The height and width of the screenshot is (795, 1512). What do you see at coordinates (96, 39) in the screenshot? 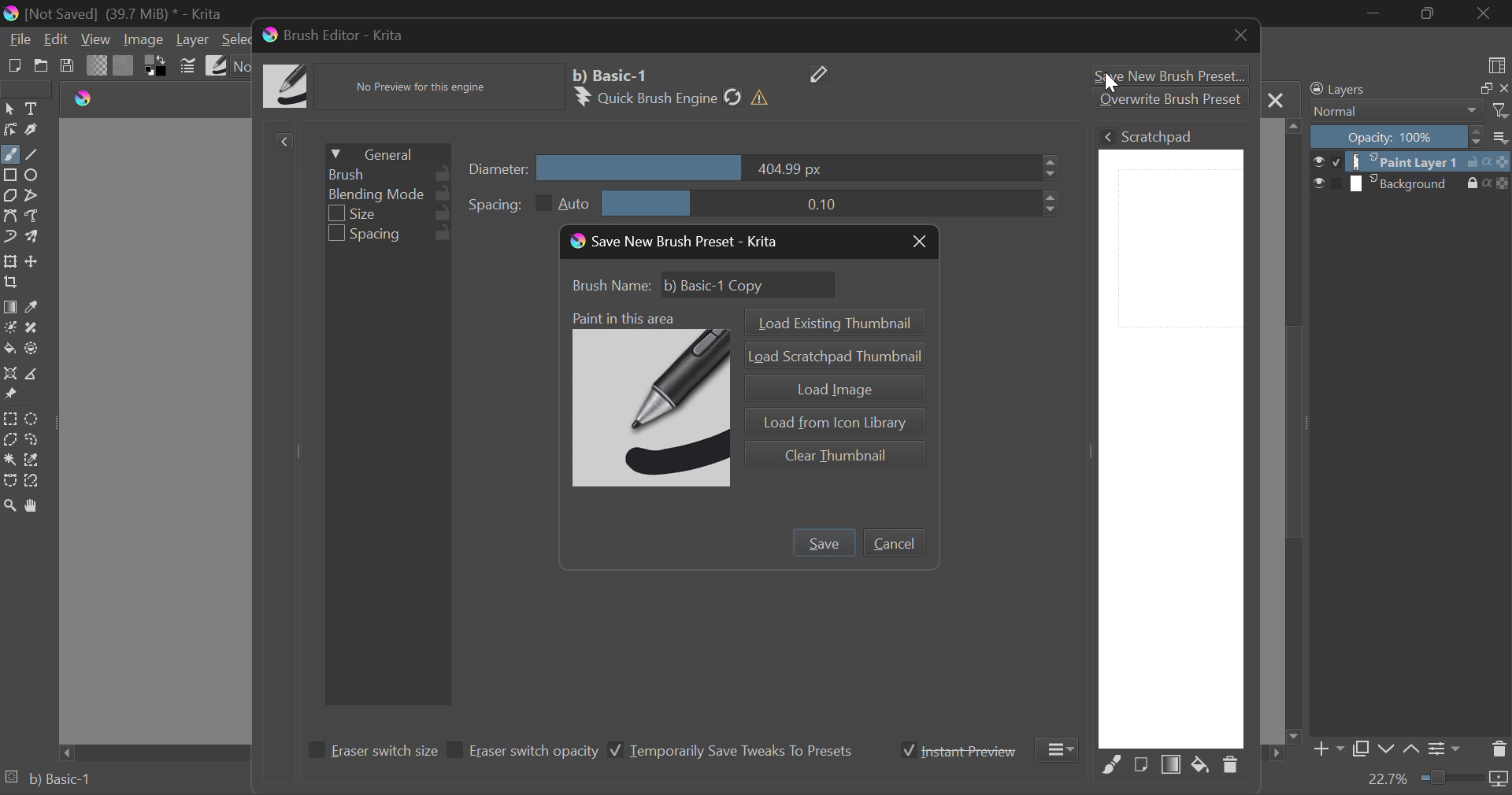
I see `View` at bounding box center [96, 39].